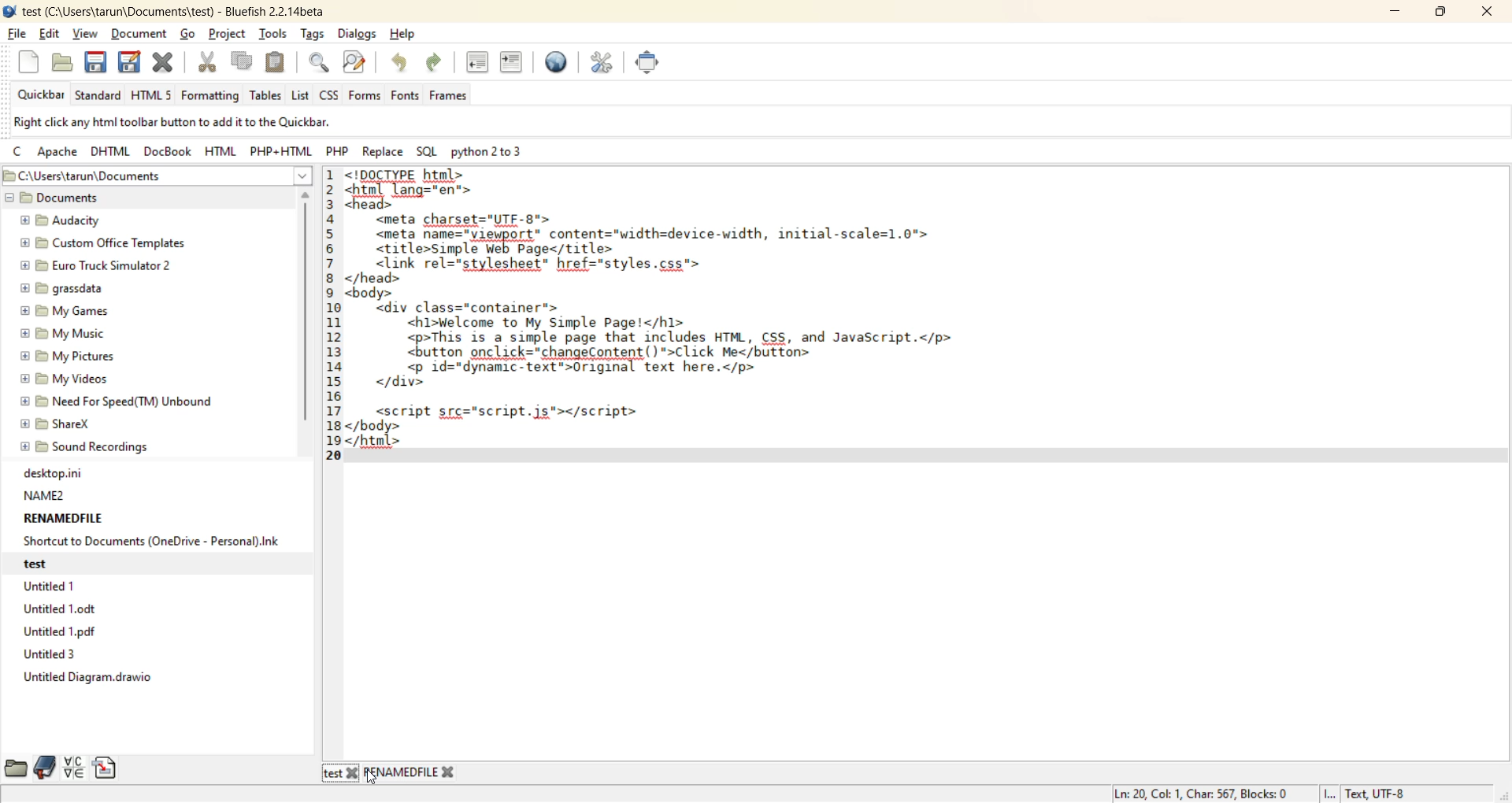  Describe the element at coordinates (227, 35) in the screenshot. I see `project` at that location.